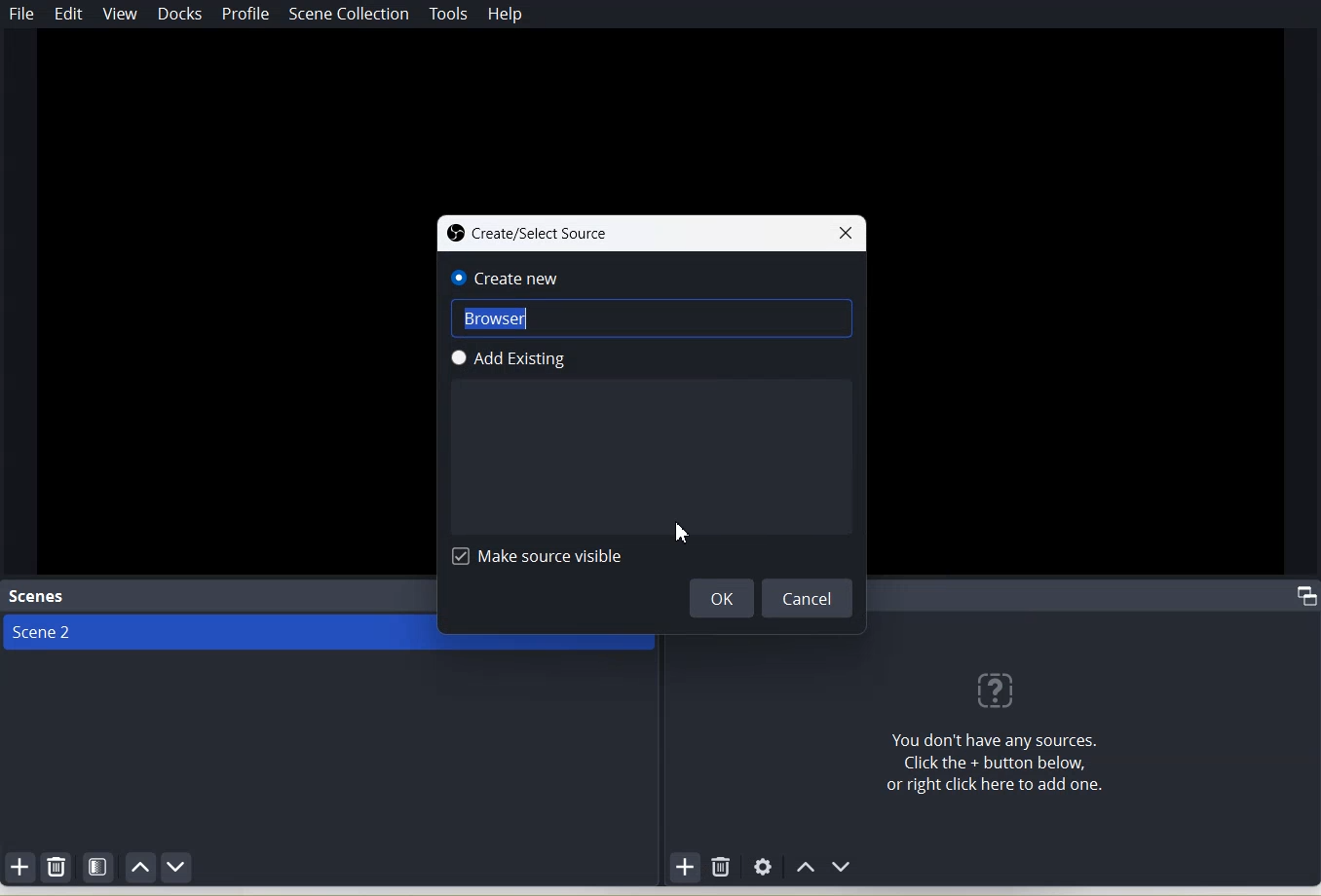 This screenshot has width=1321, height=896. What do you see at coordinates (177, 867) in the screenshot?
I see `Move scene Down` at bounding box center [177, 867].